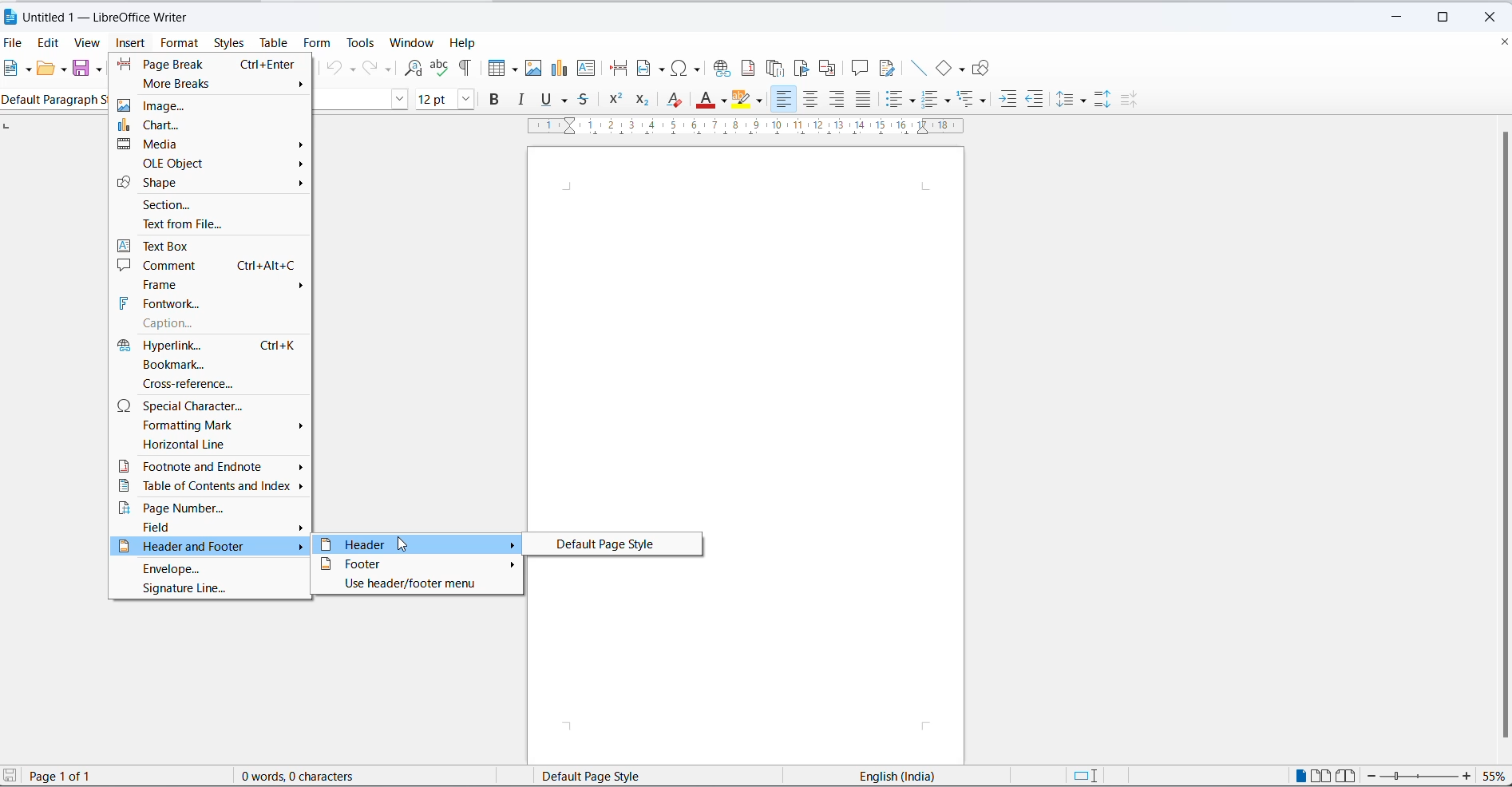 This screenshot has height=787, width=1512. Describe the element at coordinates (618, 69) in the screenshot. I see `page break` at that location.